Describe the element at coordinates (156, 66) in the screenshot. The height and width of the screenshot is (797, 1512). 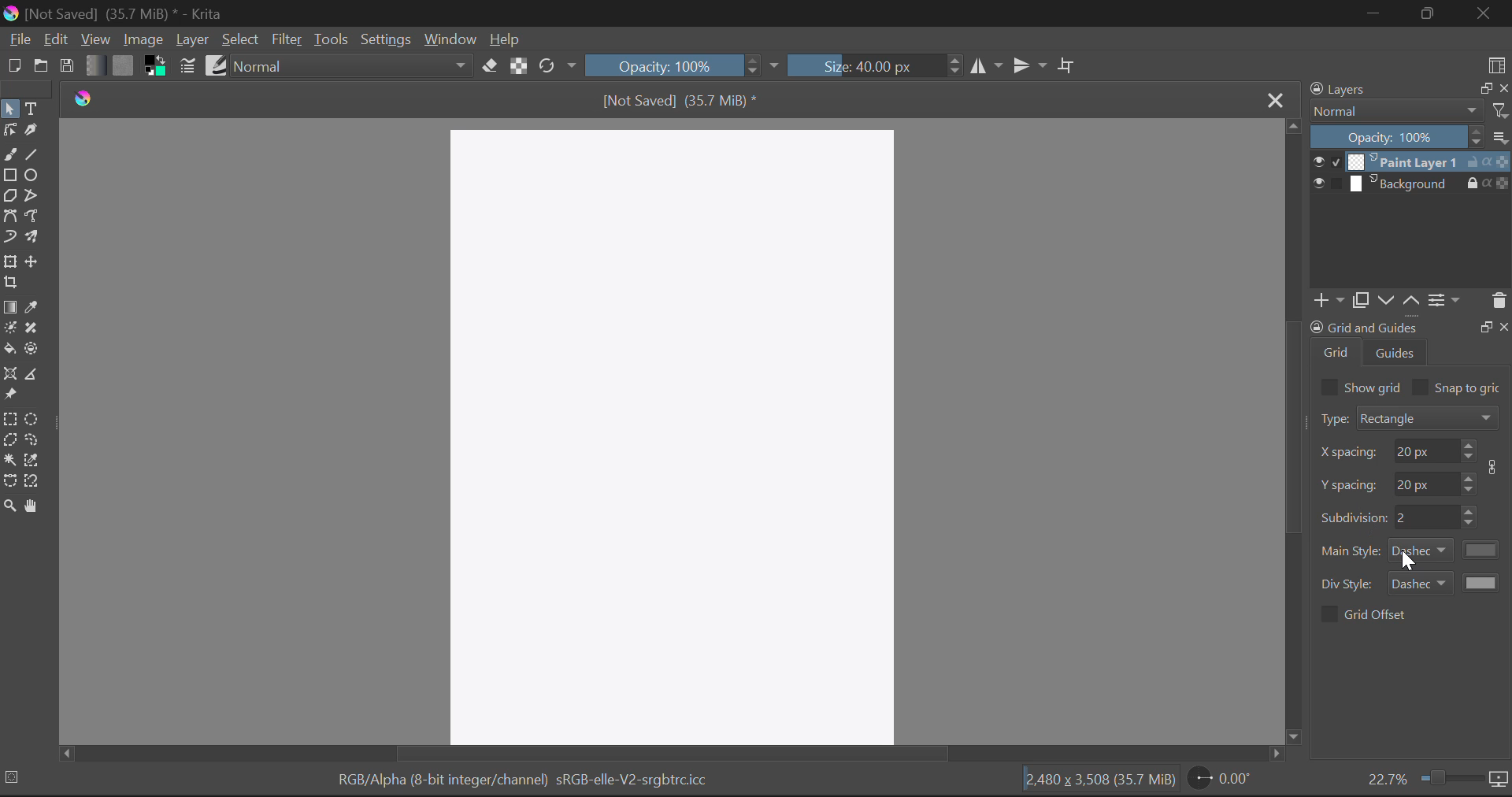
I see `Colors in use` at that location.